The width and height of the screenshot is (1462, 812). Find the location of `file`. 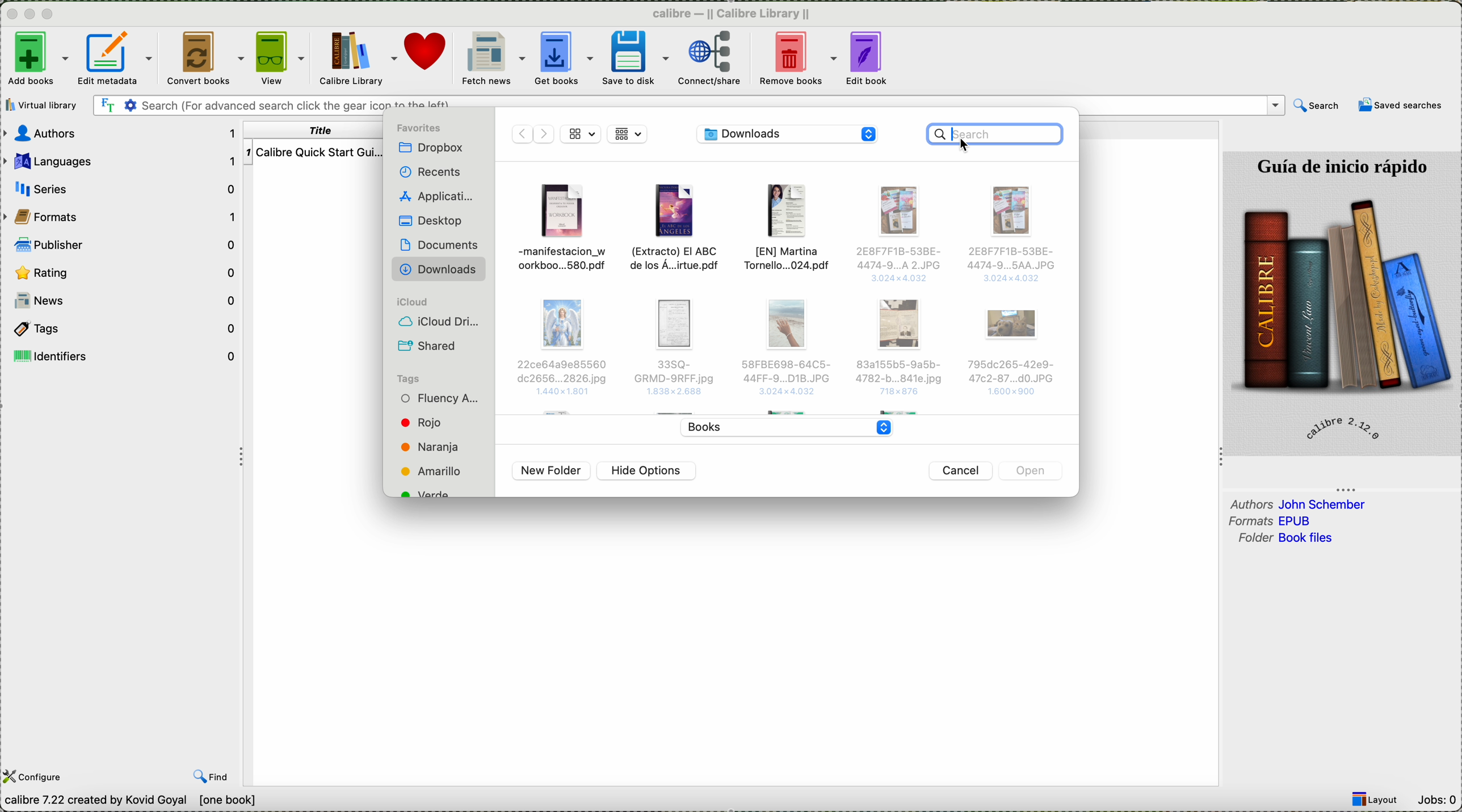

file is located at coordinates (787, 228).